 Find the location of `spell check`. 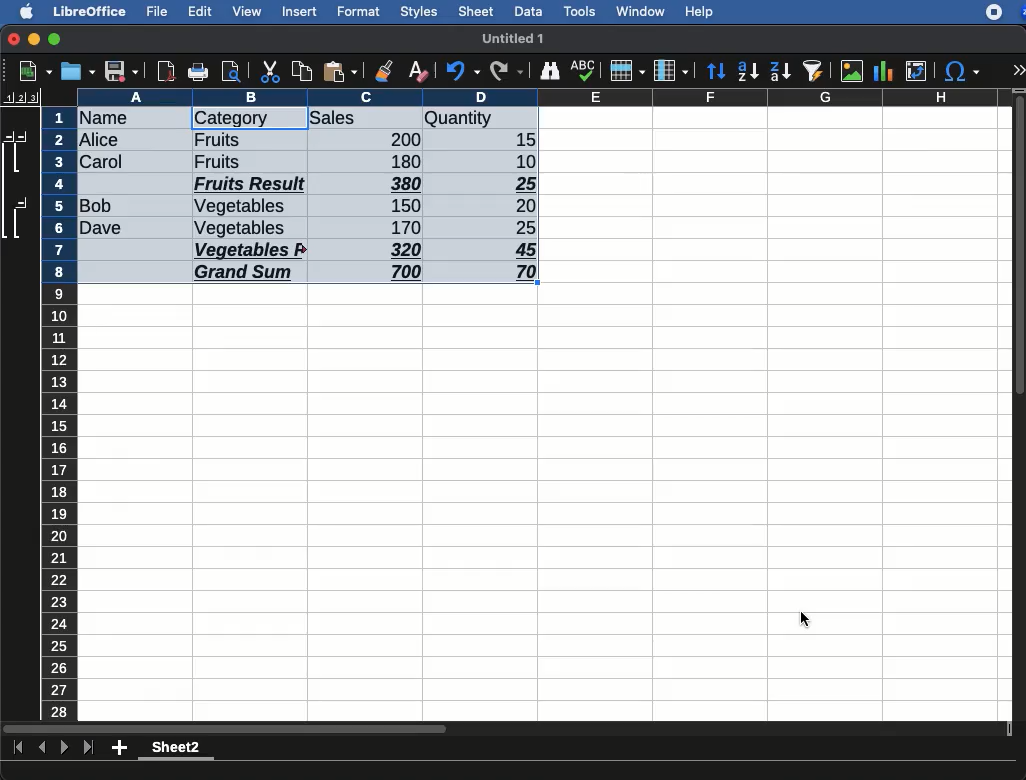

spell check is located at coordinates (586, 70).